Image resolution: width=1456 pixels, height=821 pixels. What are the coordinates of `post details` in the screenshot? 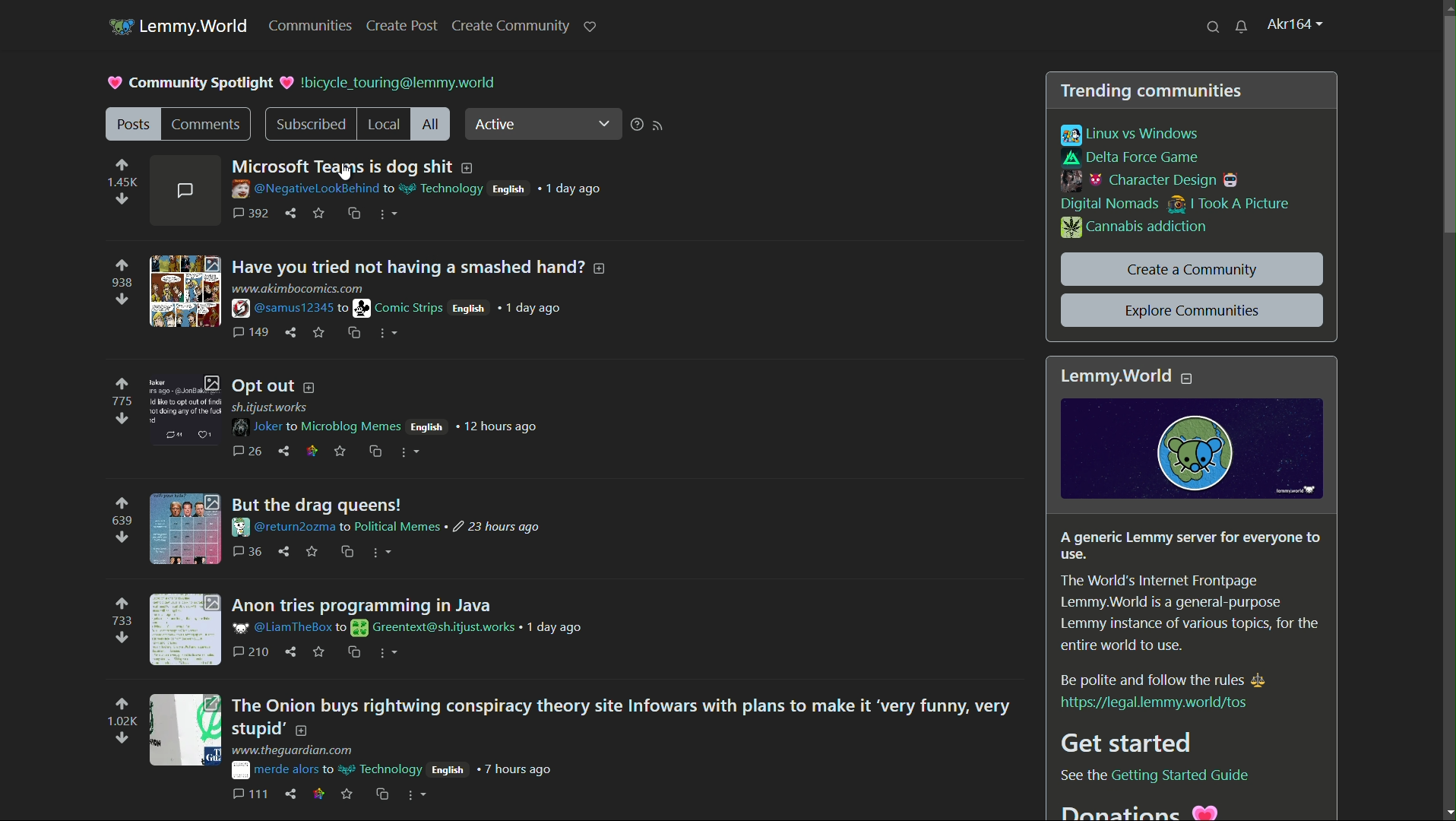 It's located at (403, 762).